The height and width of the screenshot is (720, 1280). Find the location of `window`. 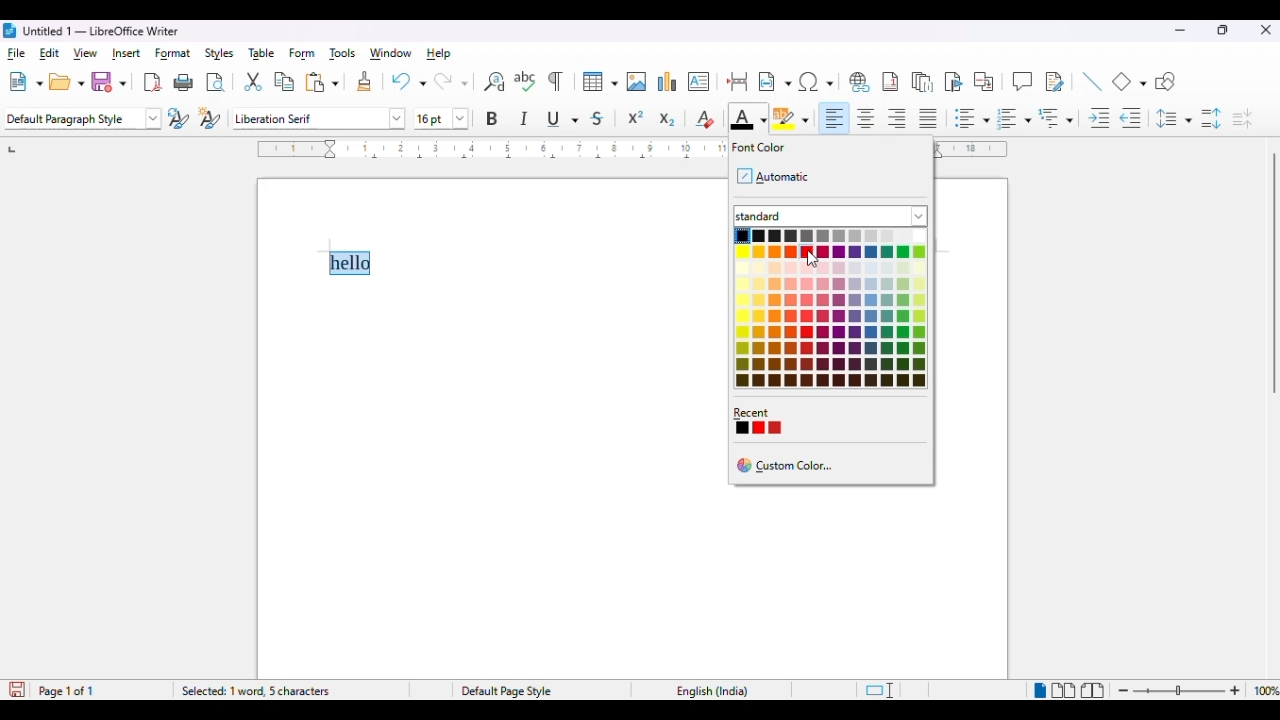

window is located at coordinates (390, 53).